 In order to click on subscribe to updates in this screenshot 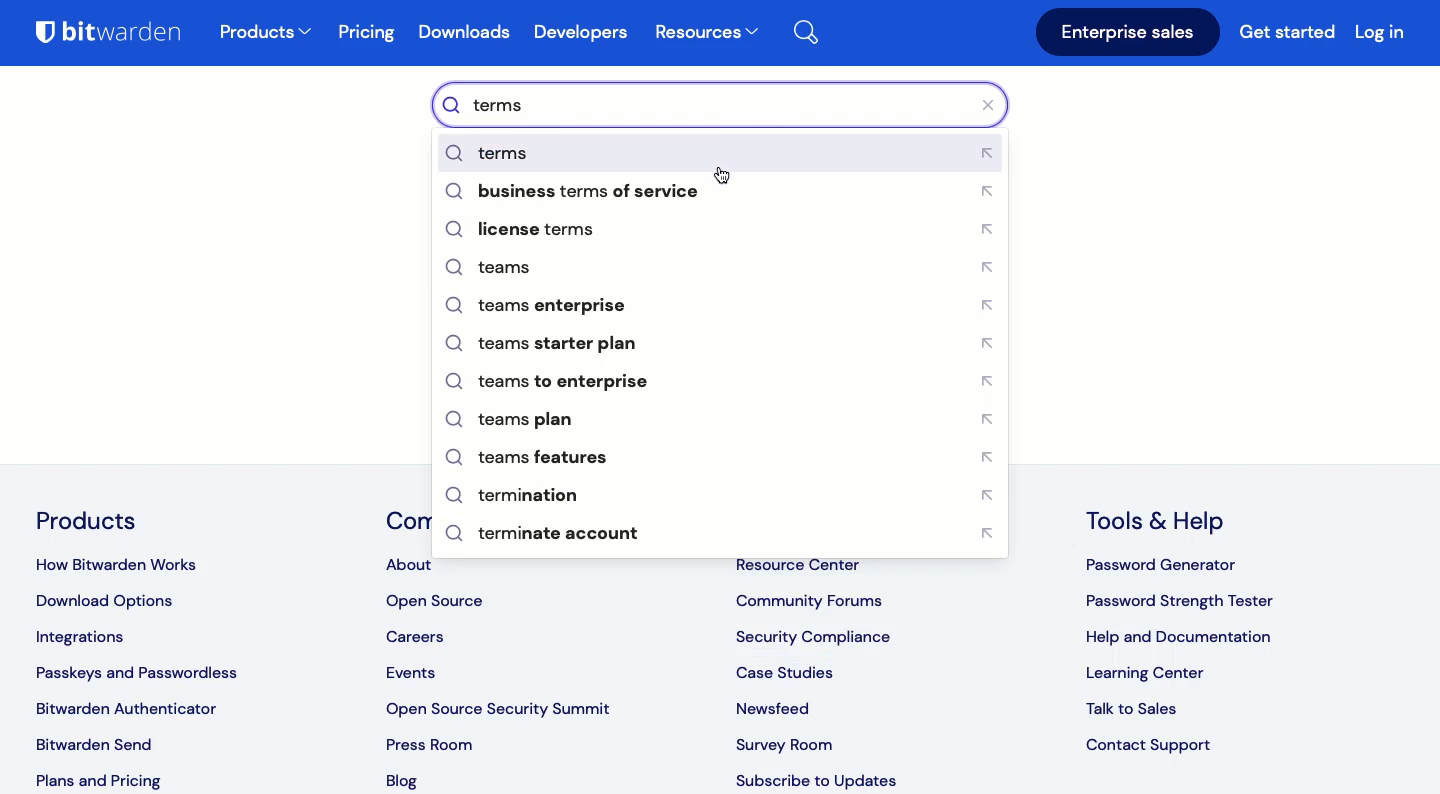, I will do `click(818, 781)`.